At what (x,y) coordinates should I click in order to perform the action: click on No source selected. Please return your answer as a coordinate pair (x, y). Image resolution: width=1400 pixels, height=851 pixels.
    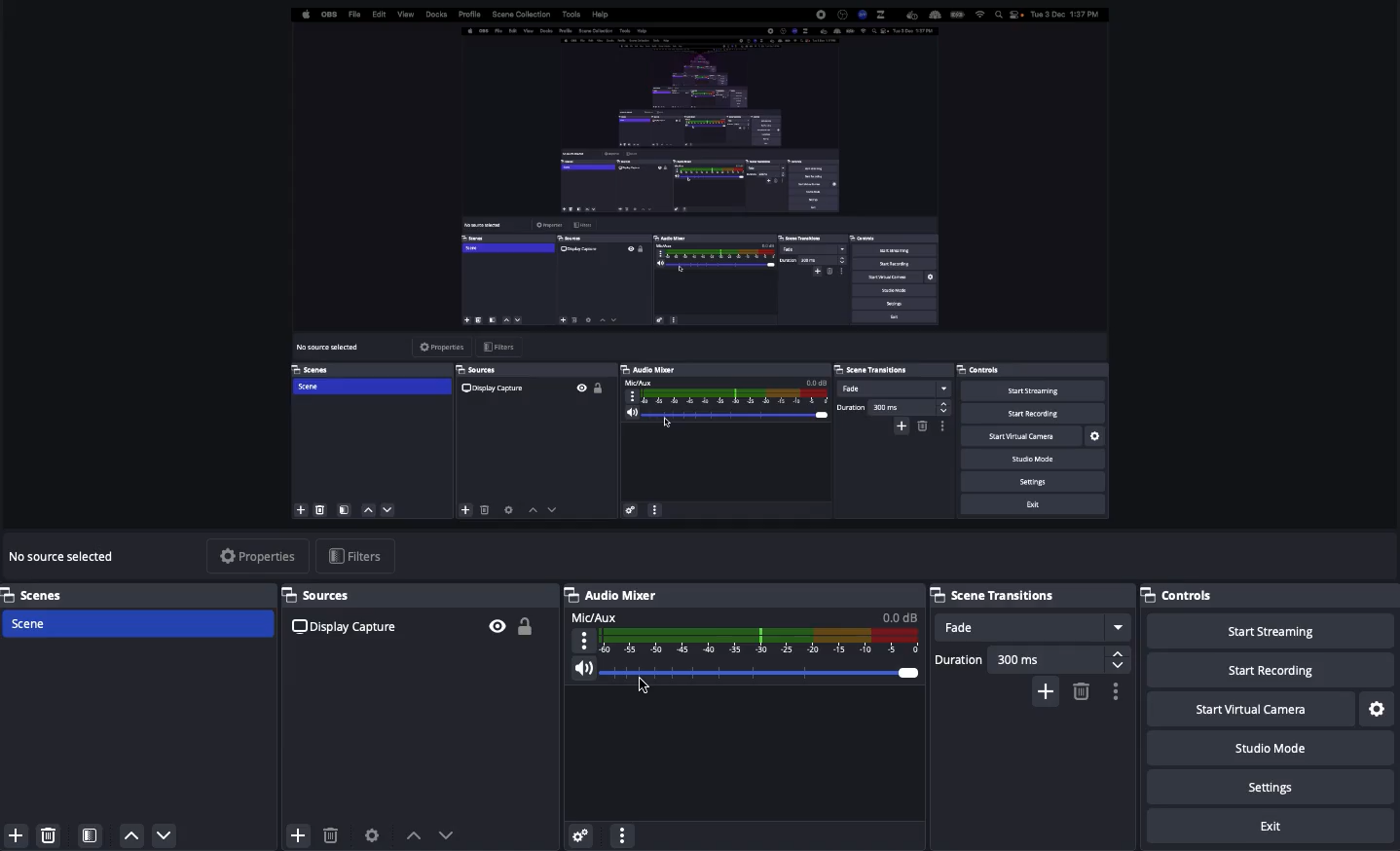
    Looking at the image, I should click on (66, 556).